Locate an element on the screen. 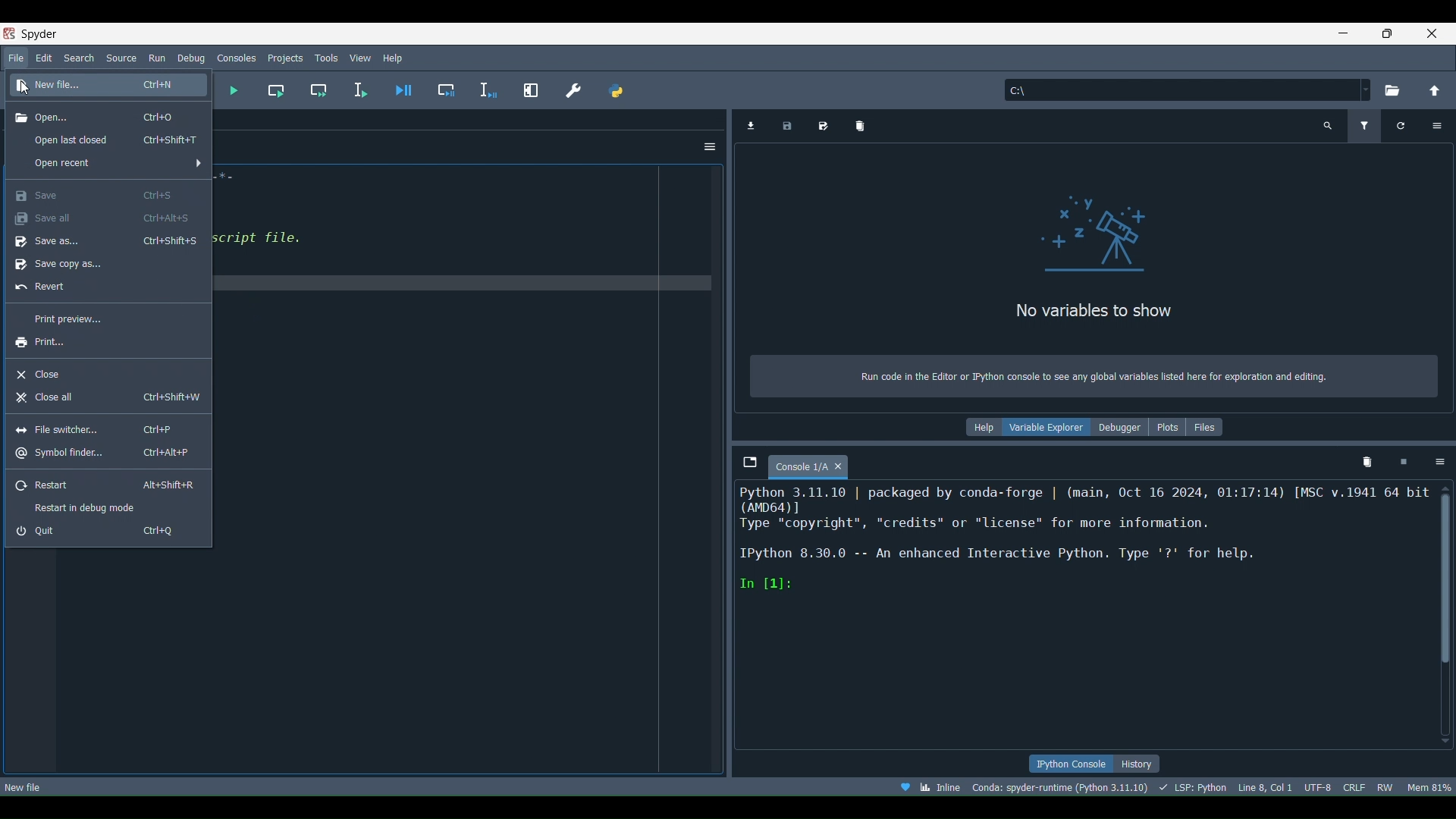 The image size is (1456, 819). maximize/restore is located at coordinates (1385, 32).